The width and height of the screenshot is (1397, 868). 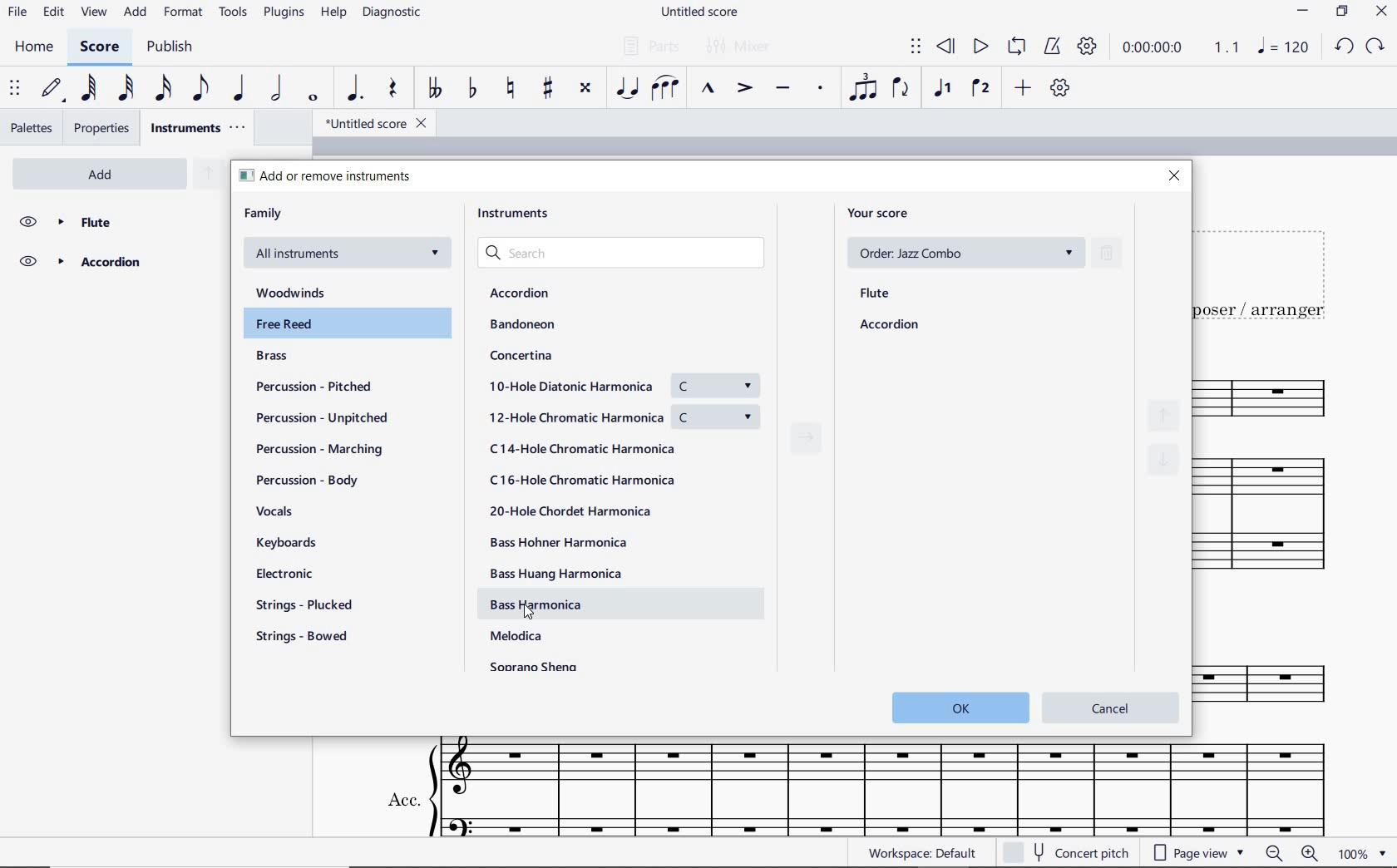 What do you see at coordinates (34, 49) in the screenshot?
I see `HOME` at bounding box center [34, 49].